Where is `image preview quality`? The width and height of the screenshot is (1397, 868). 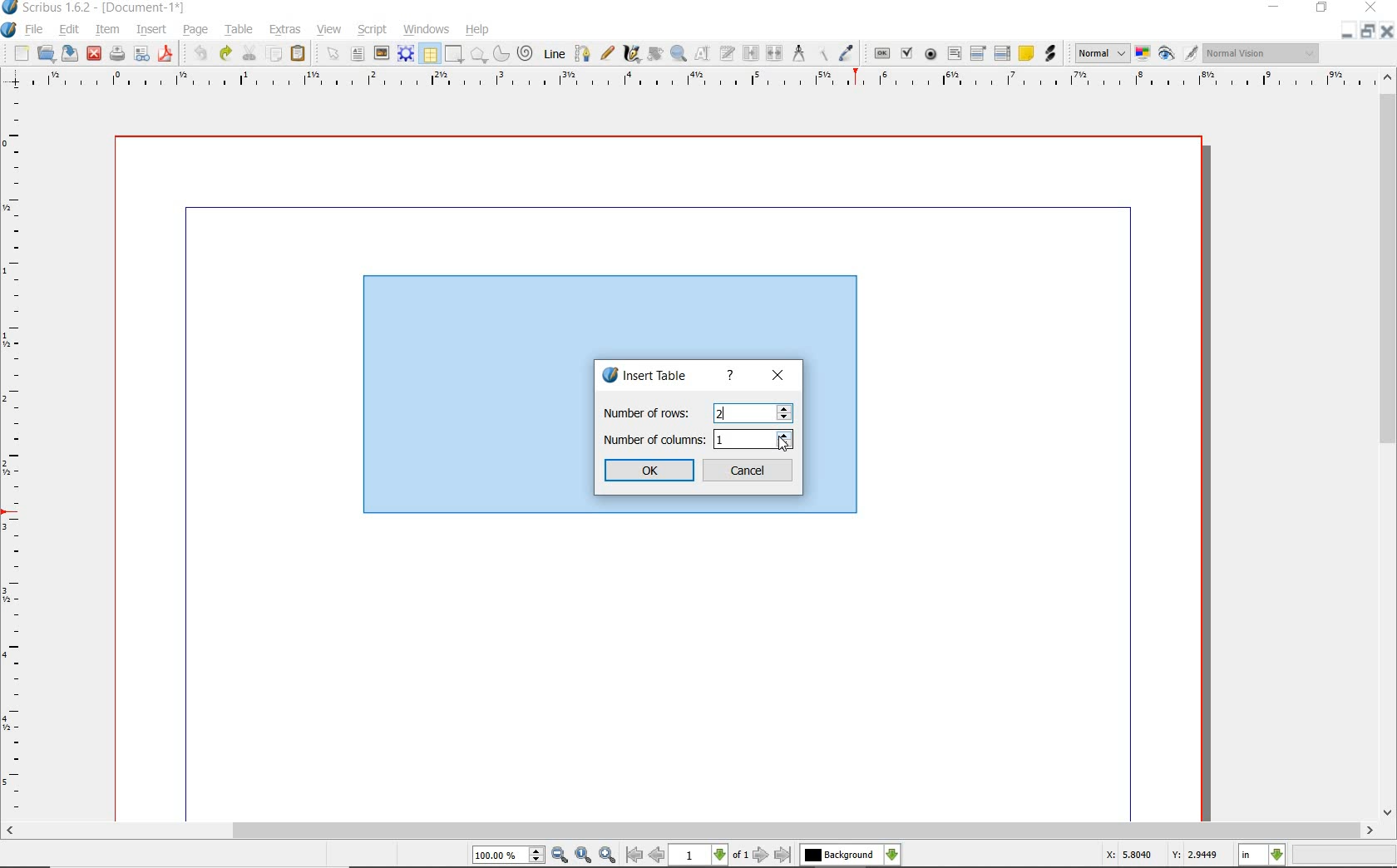
image preview quality is located at coordinates (1101, 52).